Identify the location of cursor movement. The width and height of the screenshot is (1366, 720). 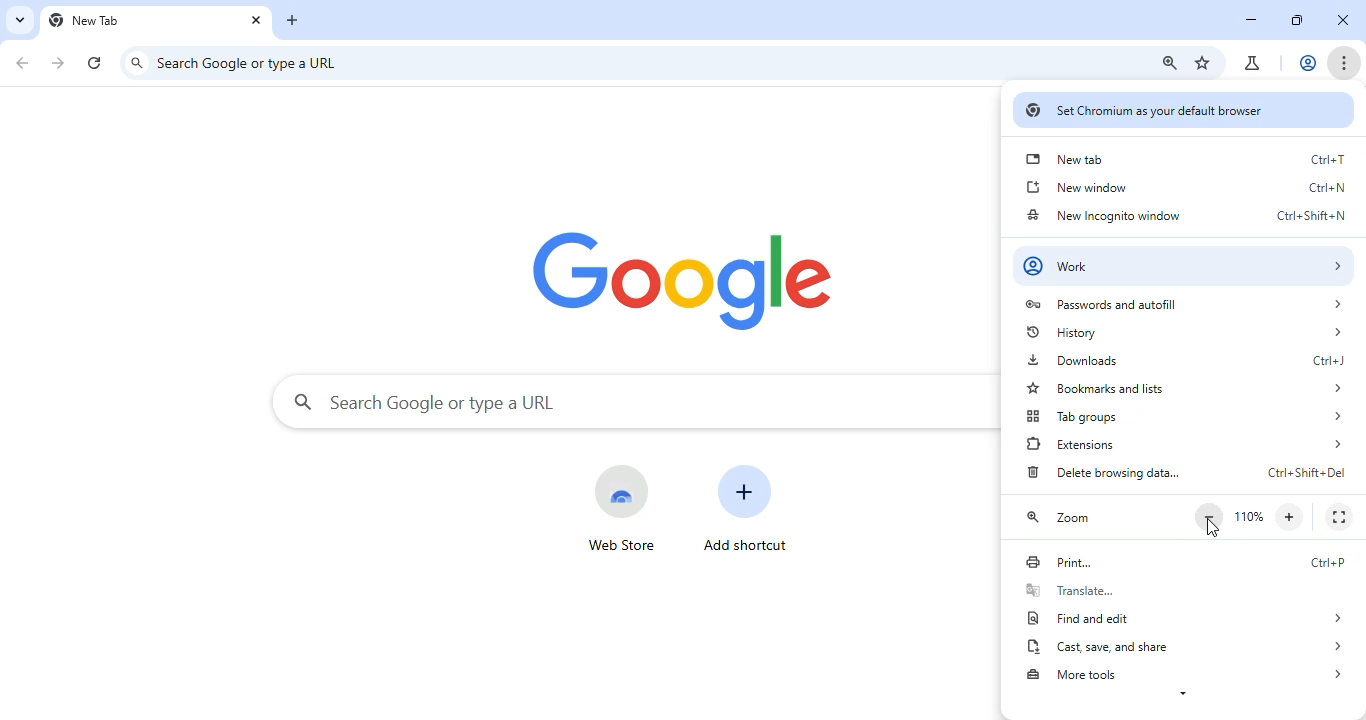
(1213, 530).